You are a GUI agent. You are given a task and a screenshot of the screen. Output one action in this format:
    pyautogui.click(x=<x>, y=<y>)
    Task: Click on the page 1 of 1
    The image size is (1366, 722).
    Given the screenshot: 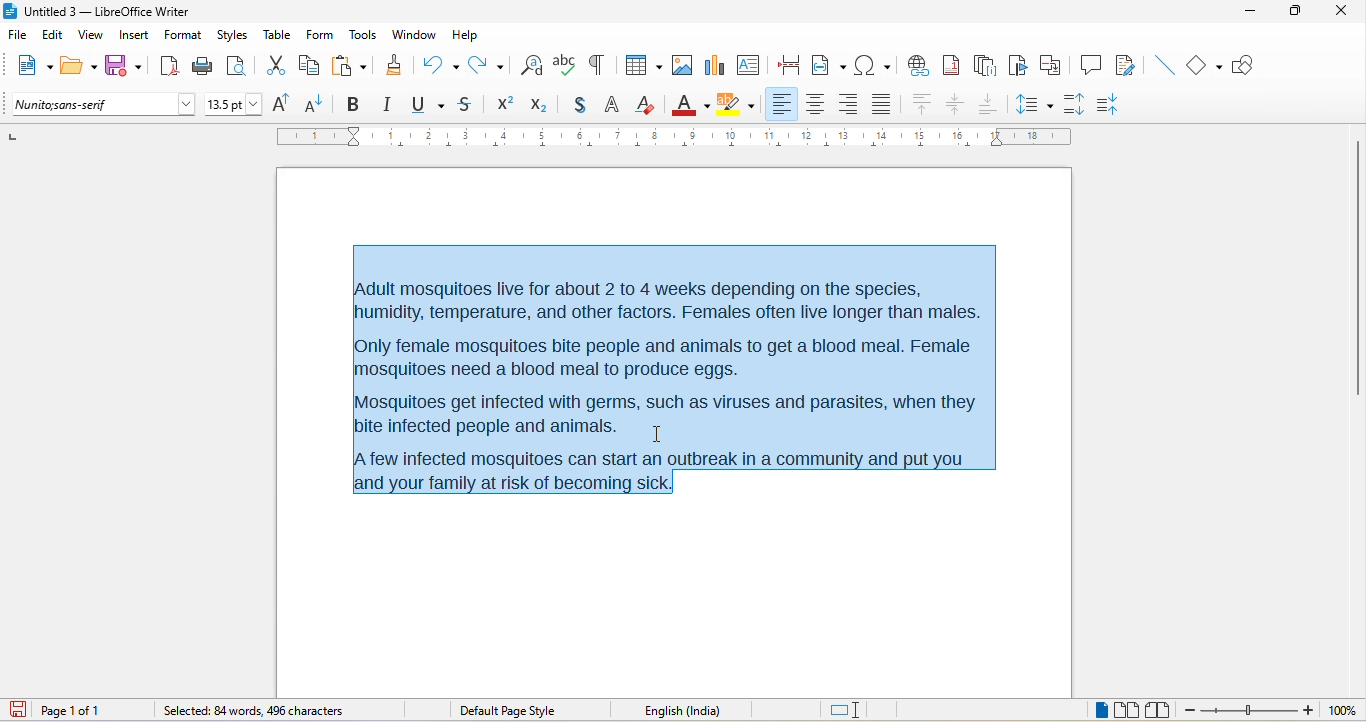 What is the action you would take?
    pyautogui.click(x=87, y=710)
    